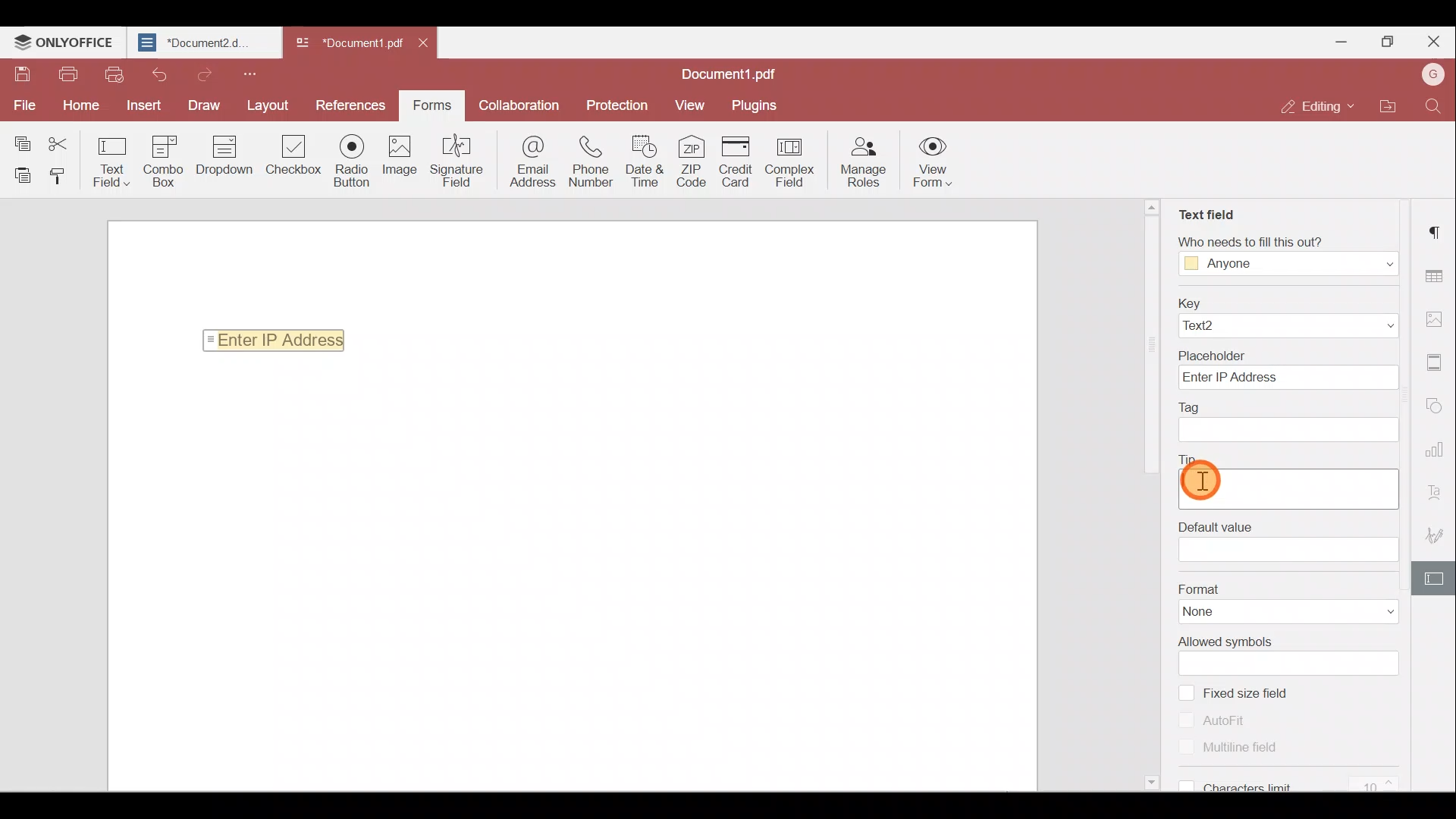 Image resolution: width=1456 pixels, height=819 pixels. I want to click on None, so click(1221, 613).